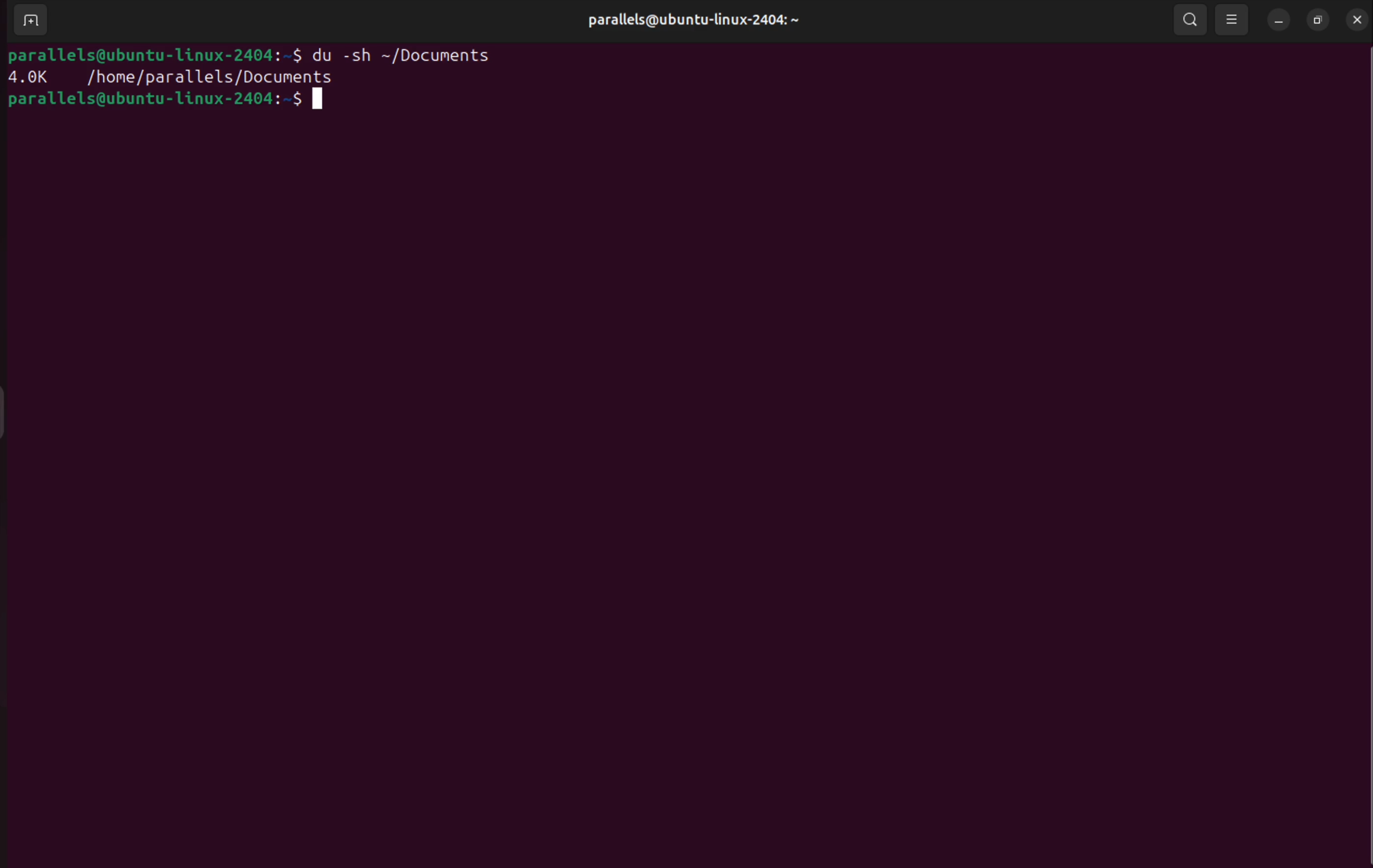 The image size is (1373, 868). I want to click on add terminal, so click(30, 21).